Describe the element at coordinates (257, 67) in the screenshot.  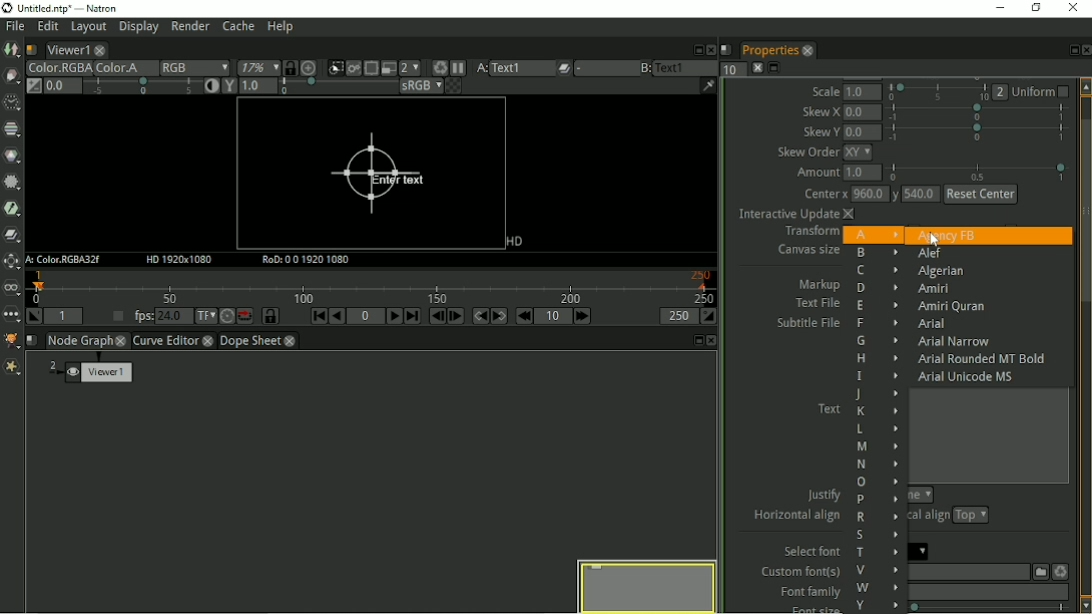
I see `17%` at that location.